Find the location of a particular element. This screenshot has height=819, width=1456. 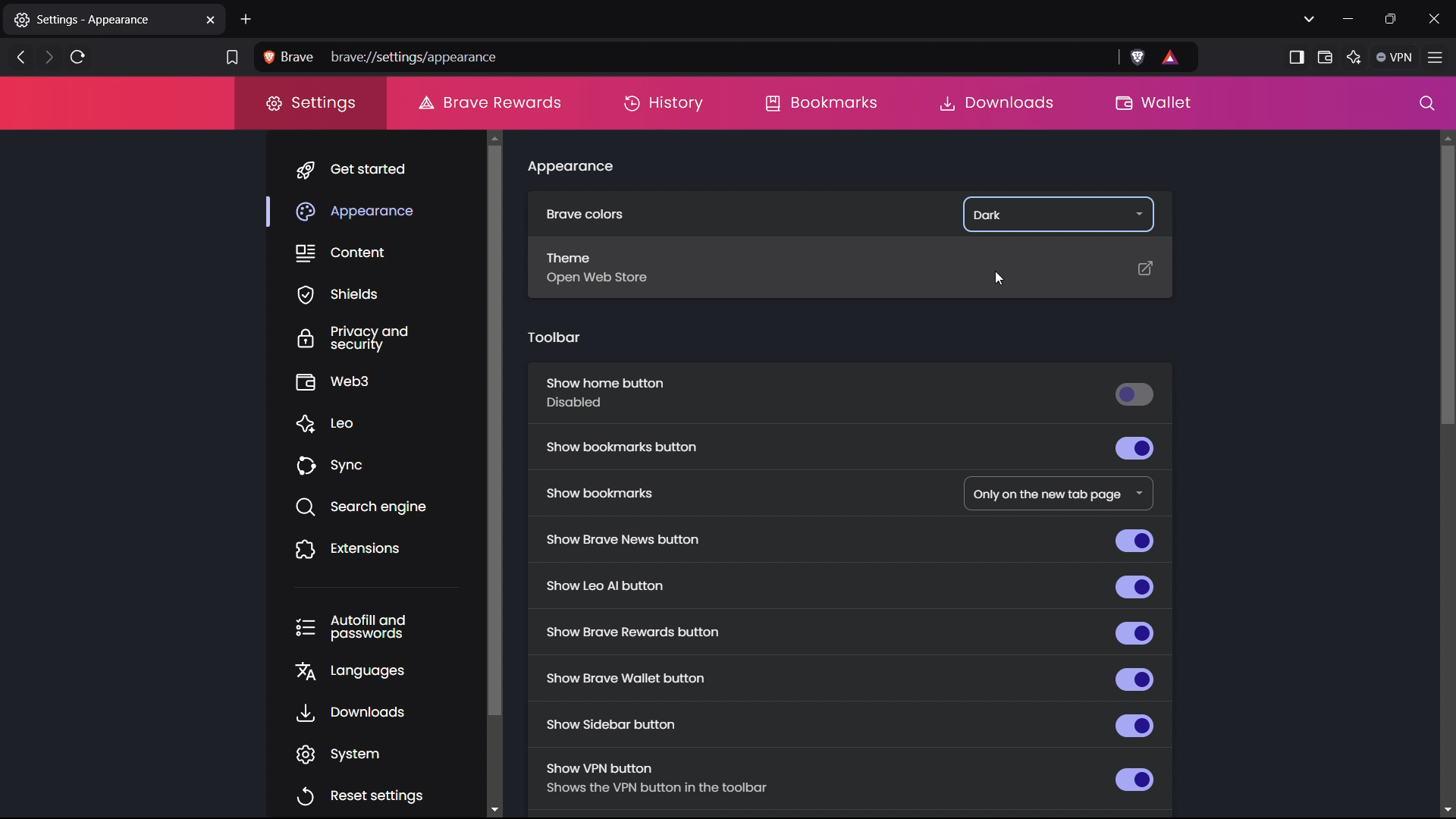

show home button Disabled is located at coordinates (849, 394).